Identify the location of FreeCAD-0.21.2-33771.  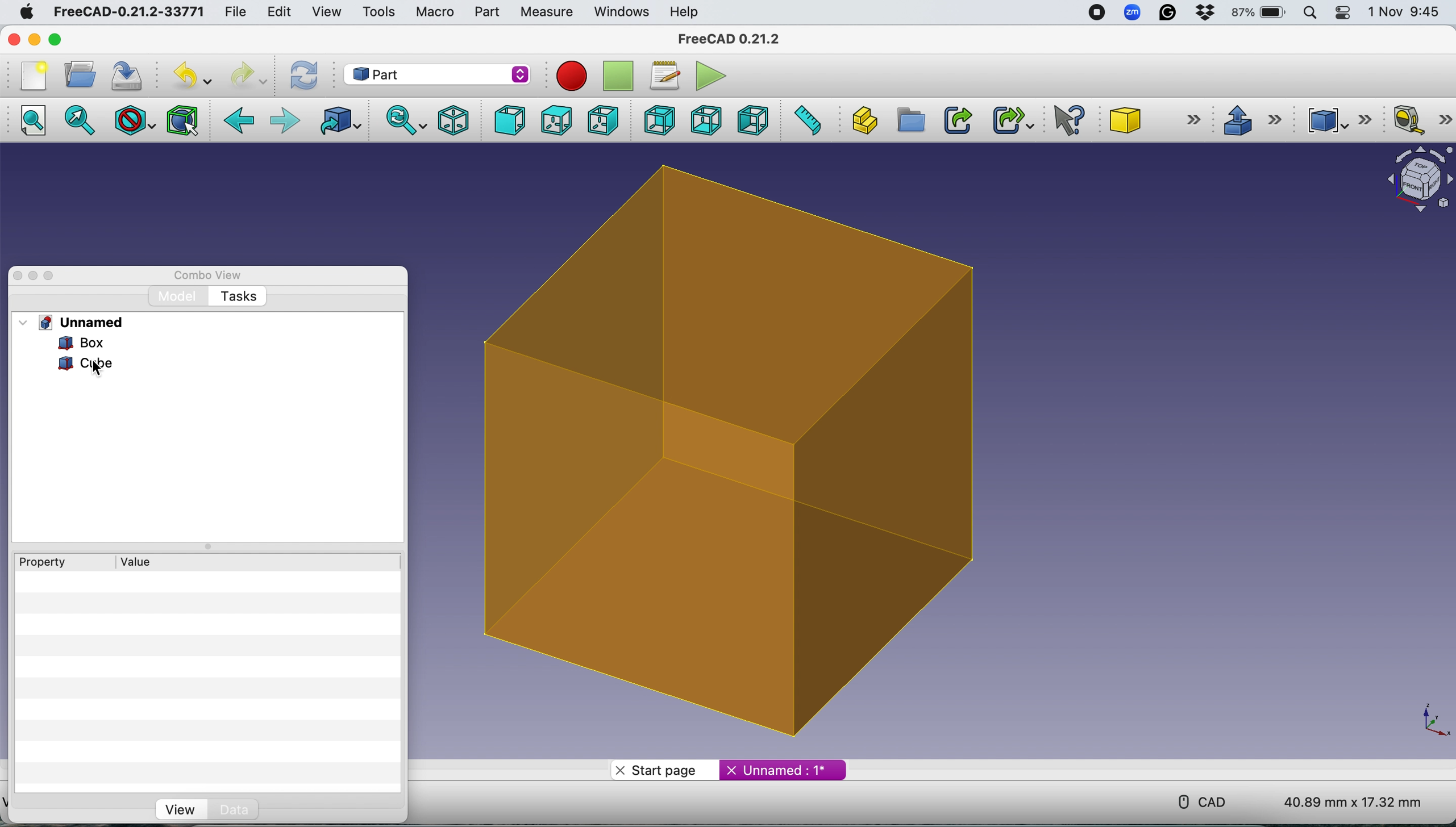
(128, 12).